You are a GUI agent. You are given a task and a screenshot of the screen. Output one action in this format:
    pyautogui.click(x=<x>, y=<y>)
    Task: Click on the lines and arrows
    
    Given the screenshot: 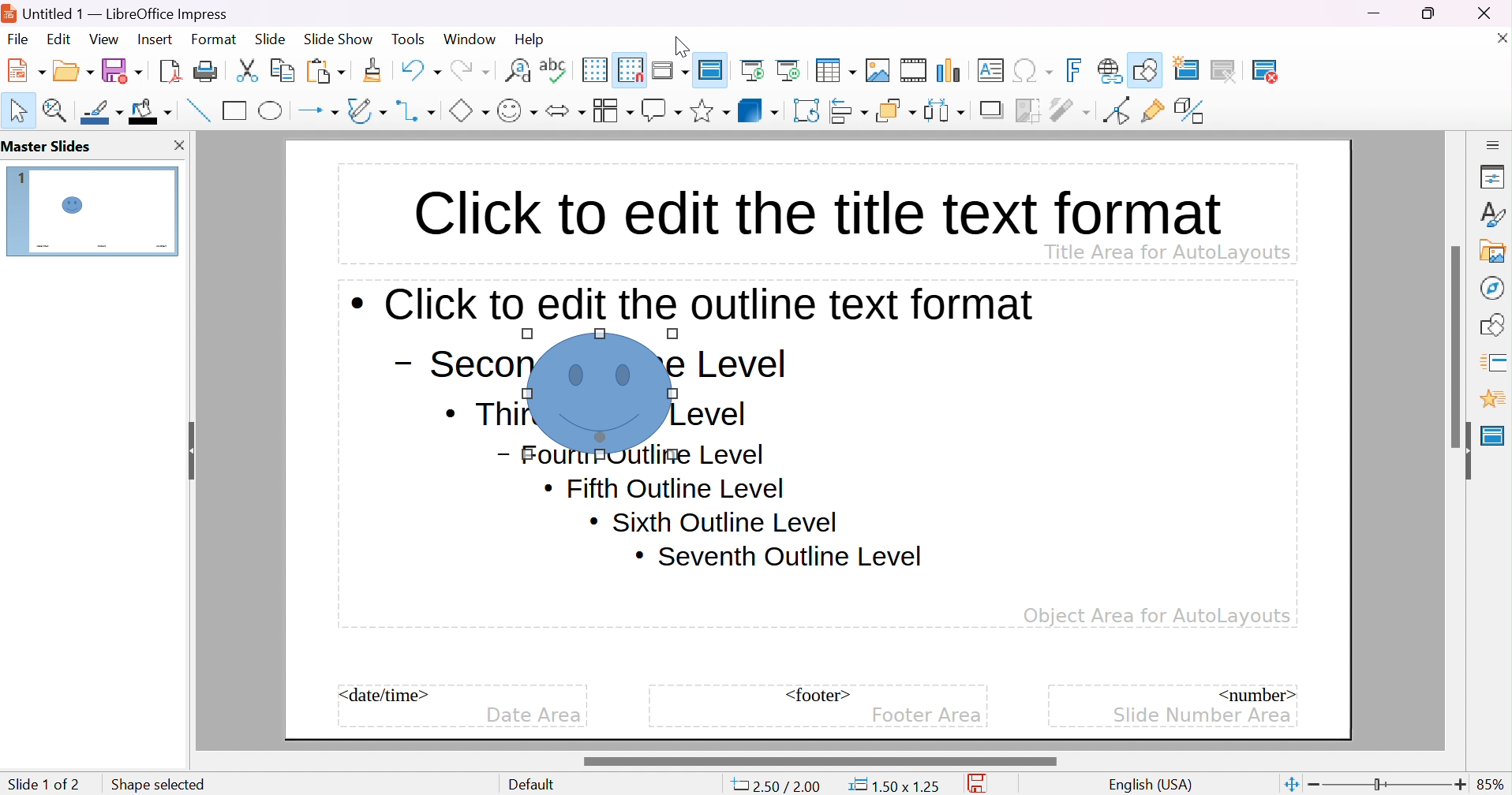 What is the action you would take?
    pyautogui.click(x=318, y=111)
    